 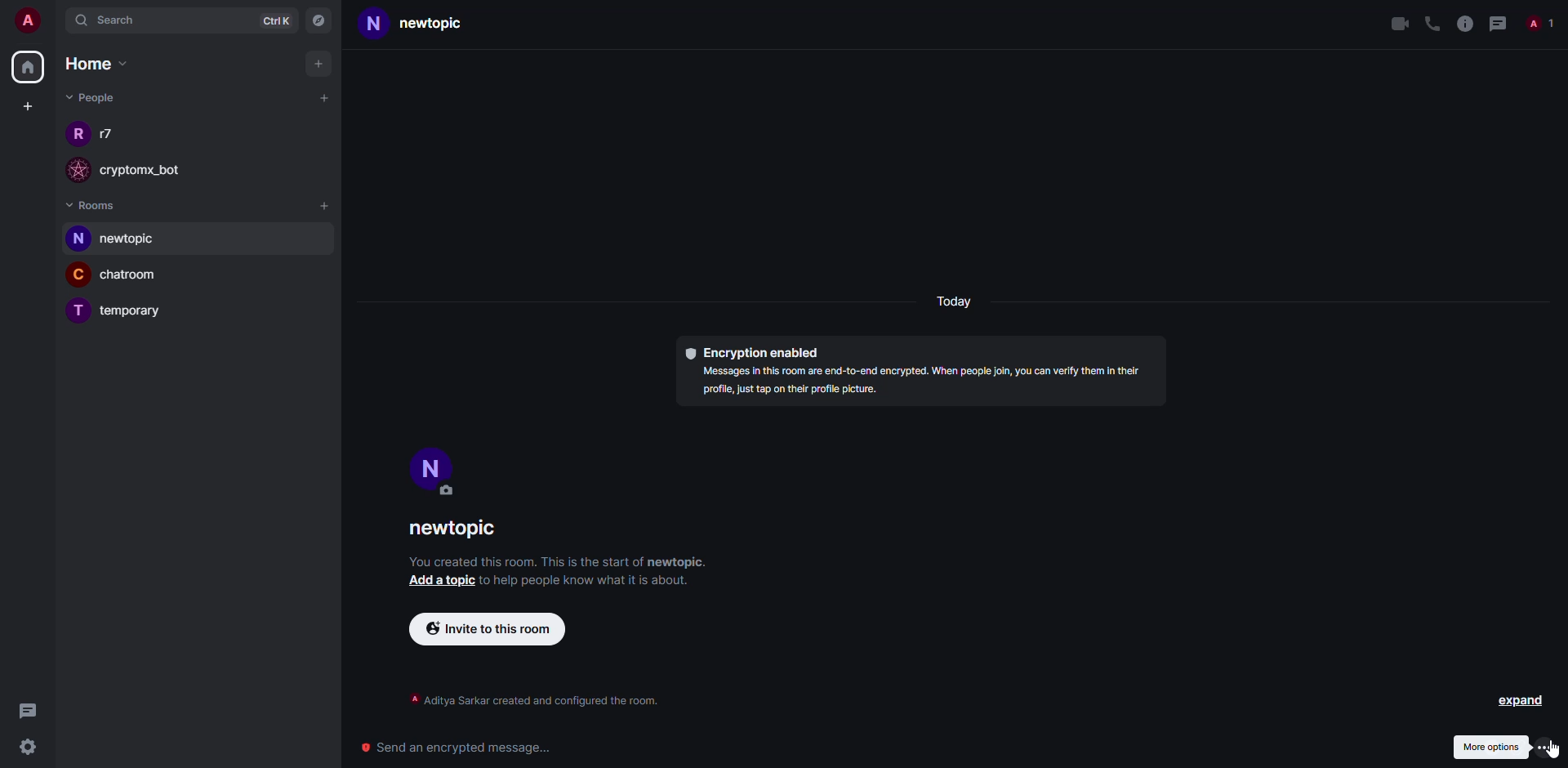 What do you see at coordinates (153, 170) in the screenshot?
I see `bot` at bounding box center [153, 170].